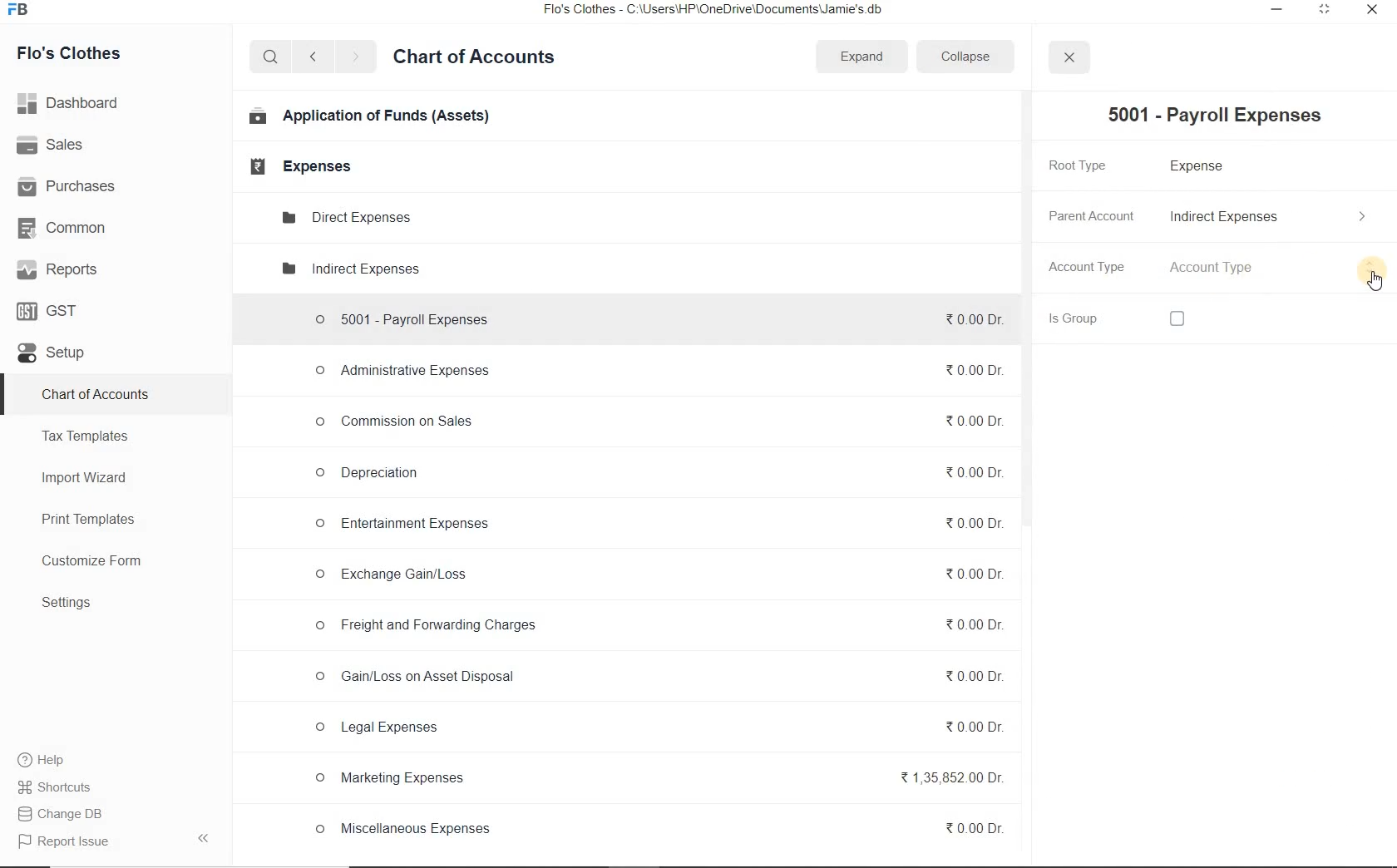  What do you see at coordinates (656, 728) in the screenshot?
I see `© Legal Expenses 0.00 Dr.` at bounding box center [656, 728].